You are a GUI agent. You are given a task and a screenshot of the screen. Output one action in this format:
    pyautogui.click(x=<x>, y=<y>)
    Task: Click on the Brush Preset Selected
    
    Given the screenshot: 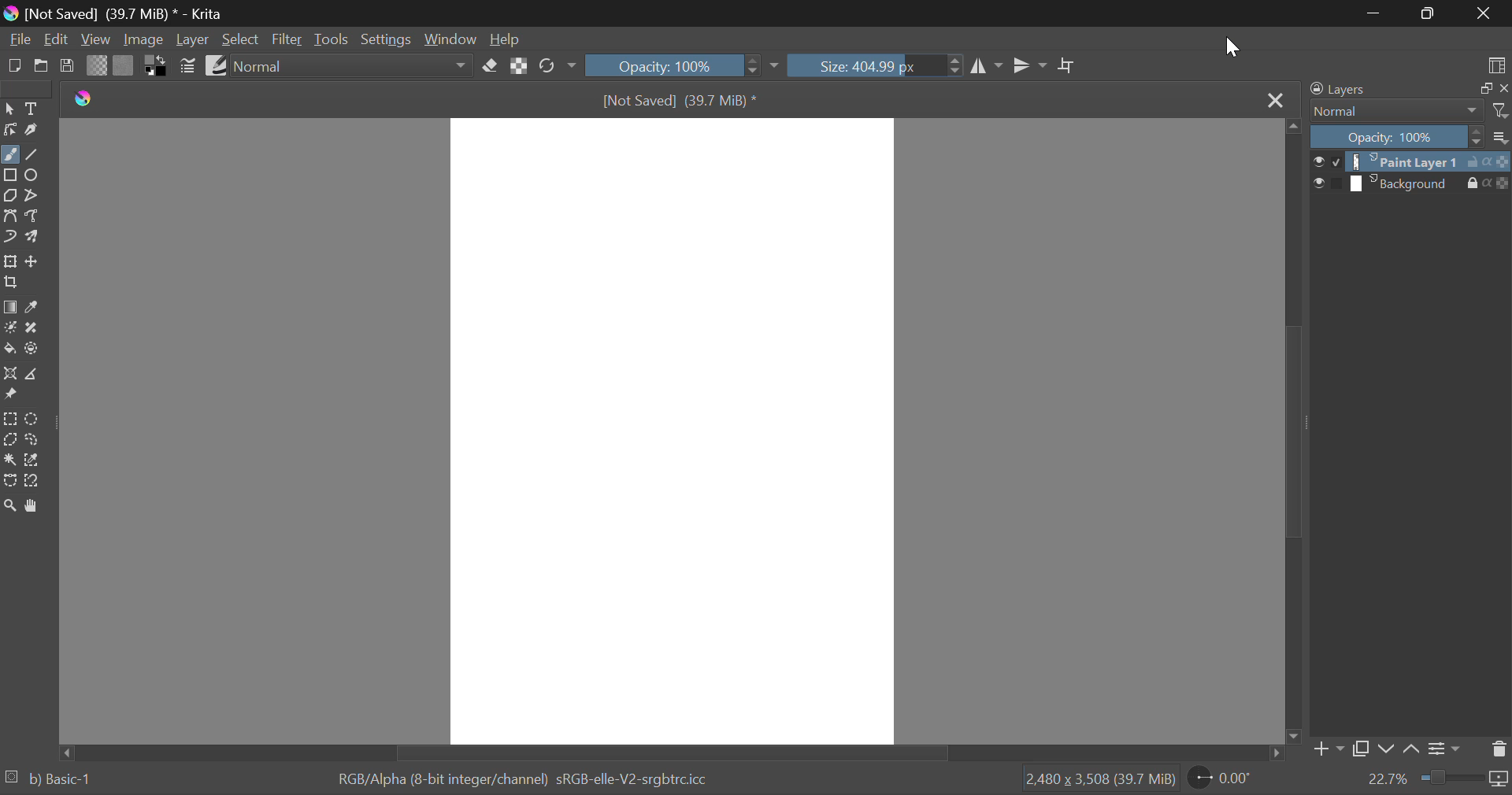 What is the action you would take?
    pyautogui.click(x=47, y=782)
    